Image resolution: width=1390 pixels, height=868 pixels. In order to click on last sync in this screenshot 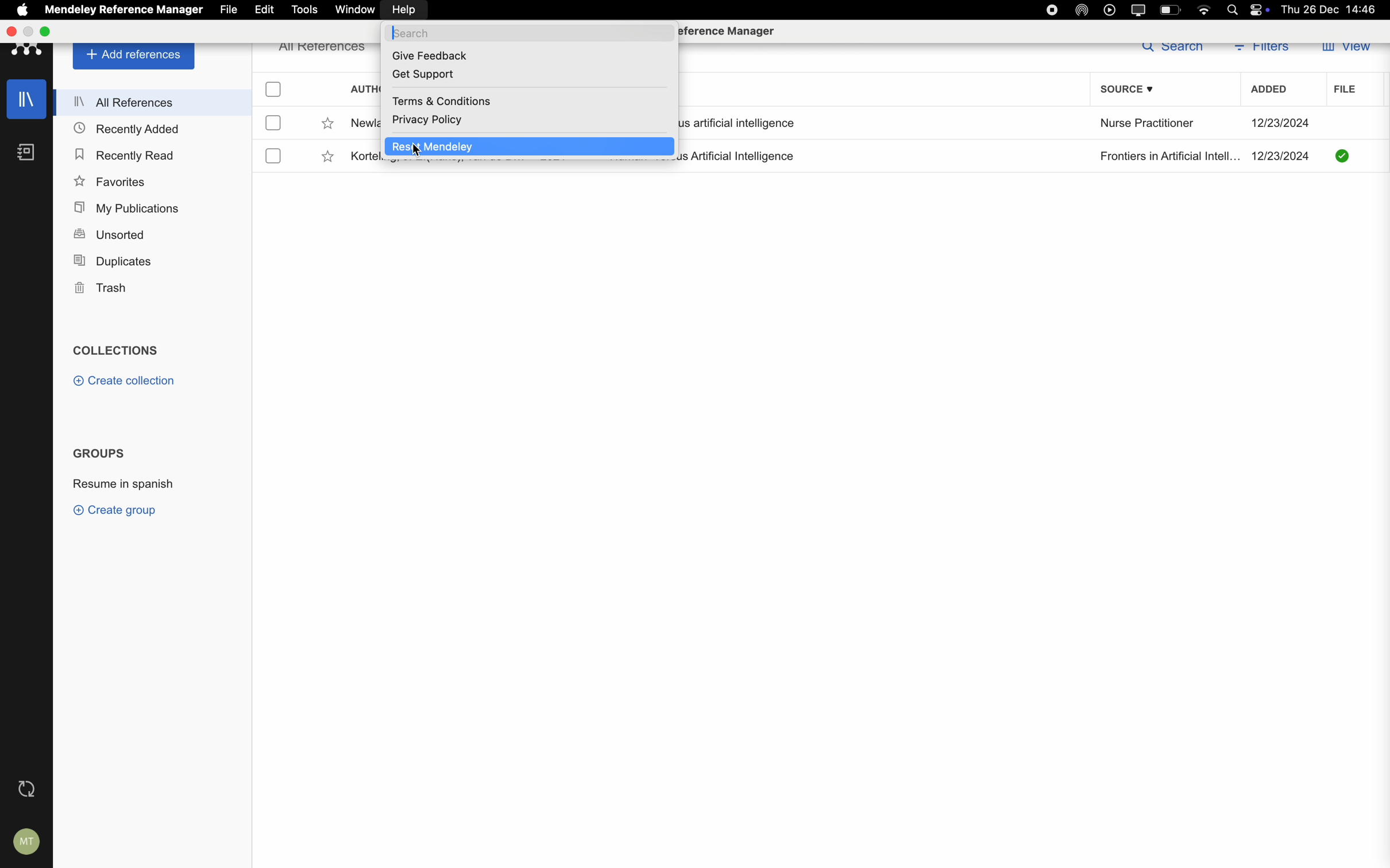, I will do `click(25, 787)`.